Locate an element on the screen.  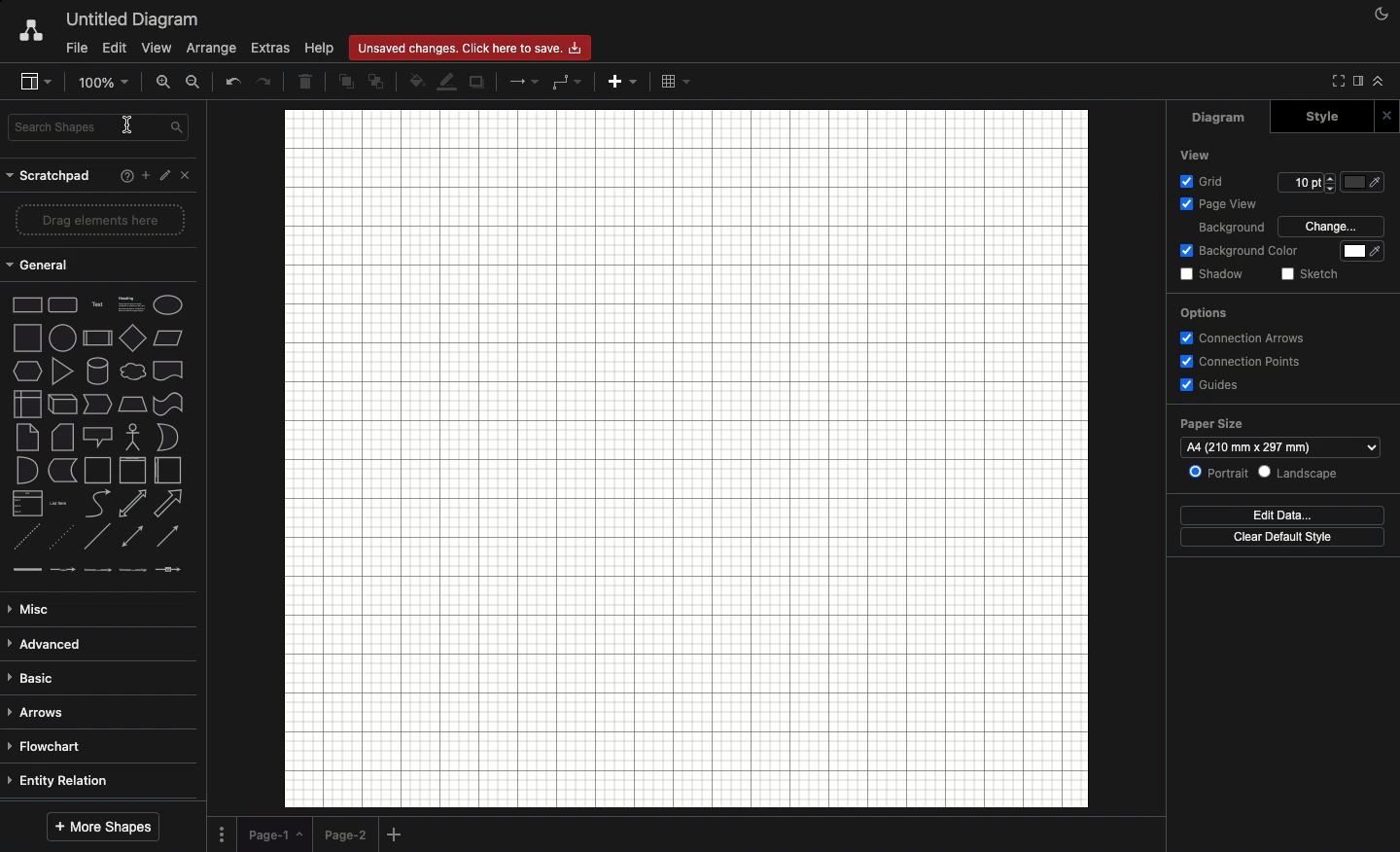
Line fill is located at coordinates (448, 81).